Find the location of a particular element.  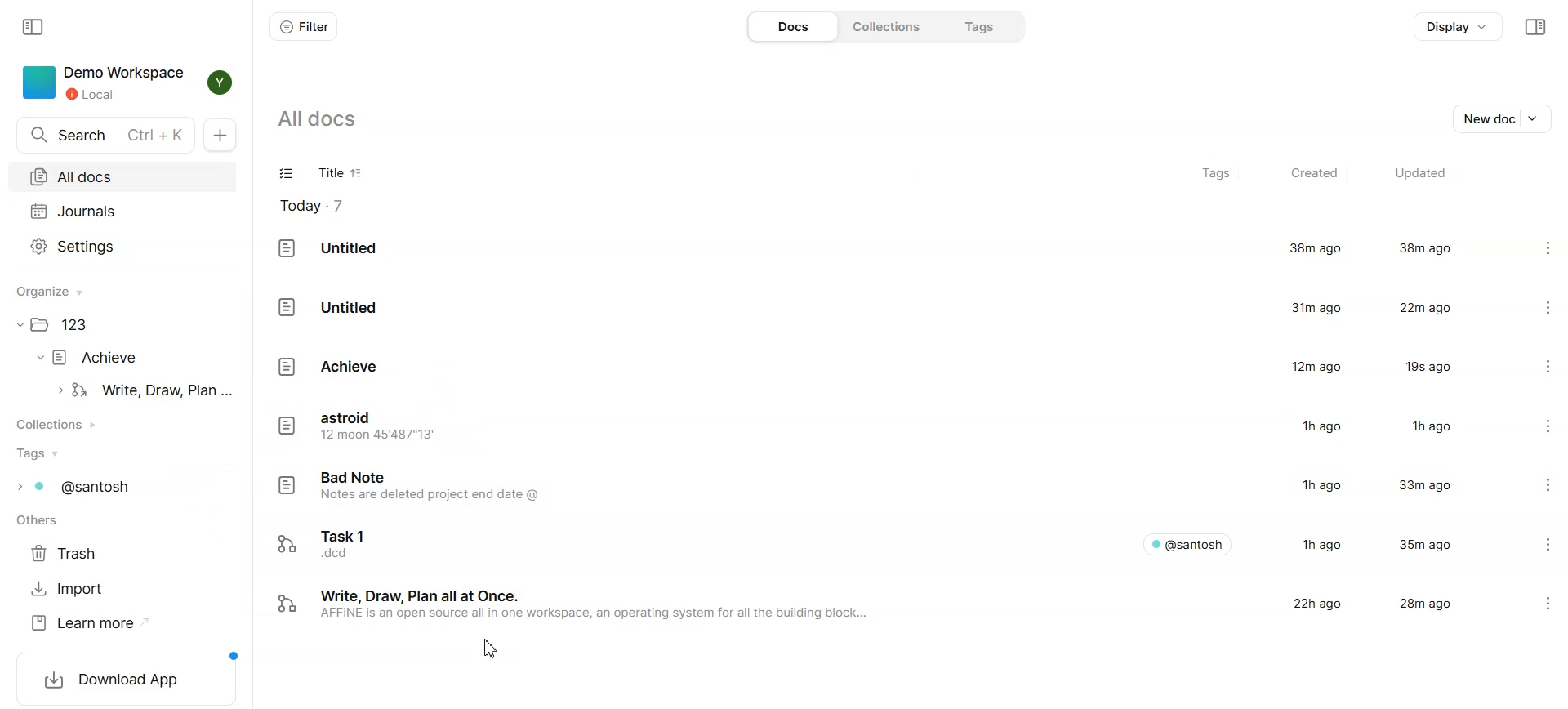

Doc File is located at coordinates (878, 249).